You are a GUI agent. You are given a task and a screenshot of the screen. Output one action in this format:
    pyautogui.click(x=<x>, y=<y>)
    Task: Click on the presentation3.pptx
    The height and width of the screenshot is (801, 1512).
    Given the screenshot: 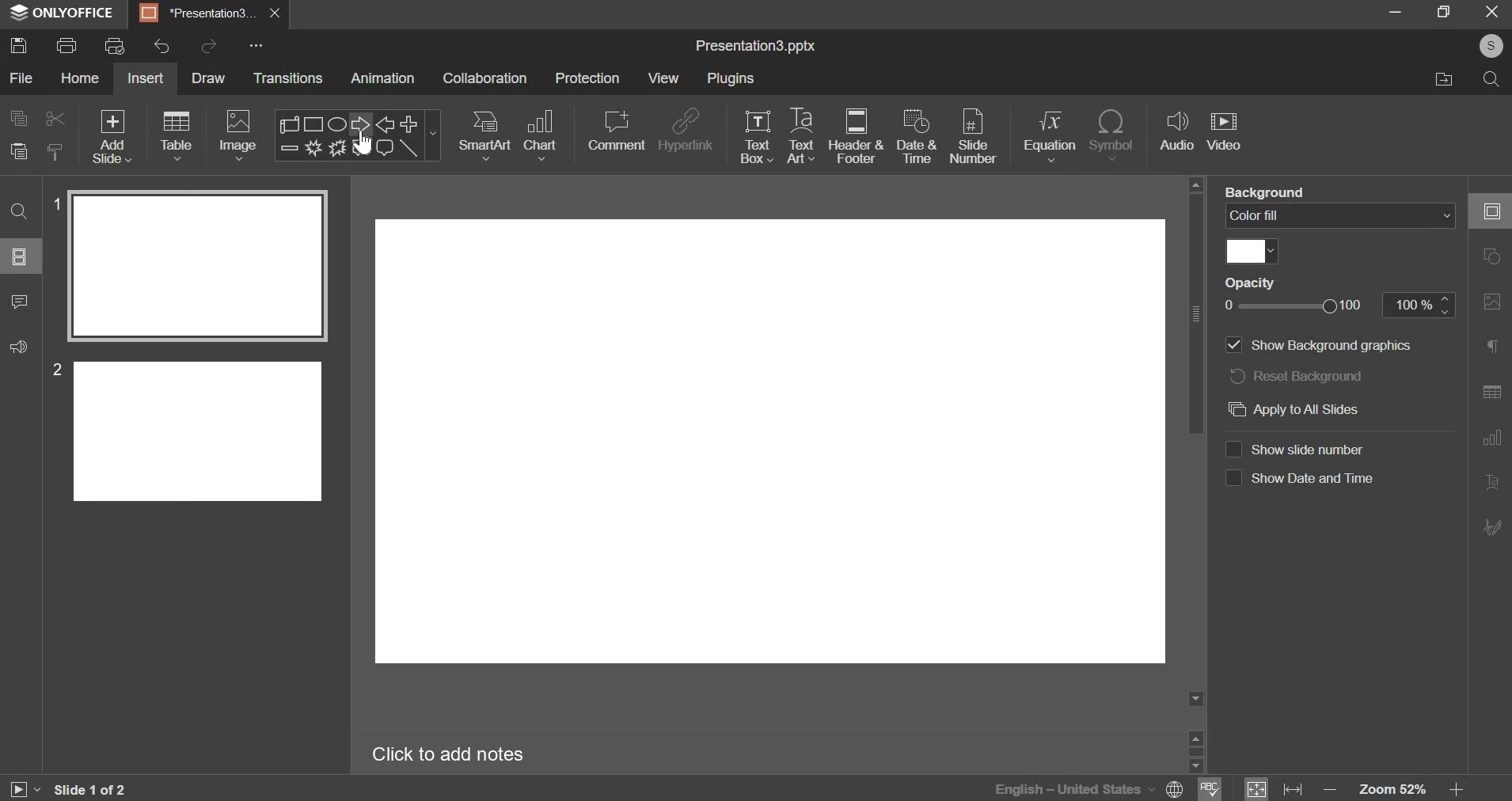 What is the action you would take?
    pyautogui.click(x=755, y=47)
    